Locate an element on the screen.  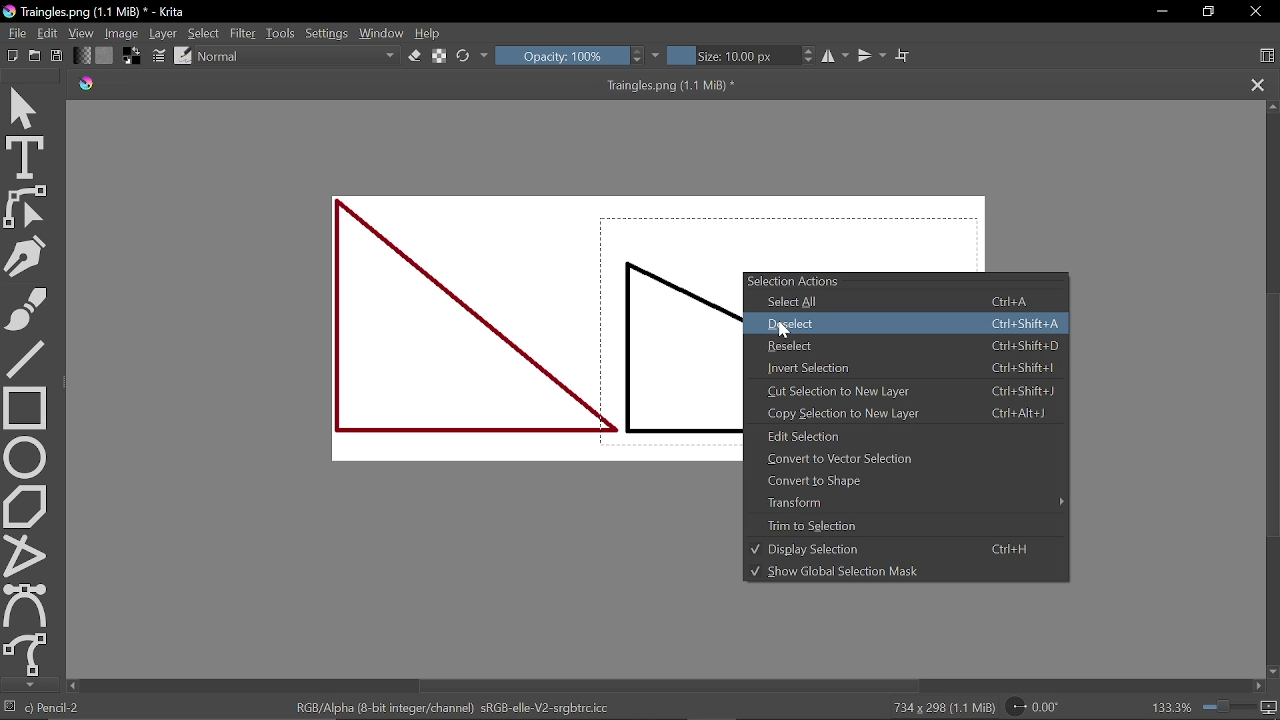
Image is located at coordinates (121, 34).